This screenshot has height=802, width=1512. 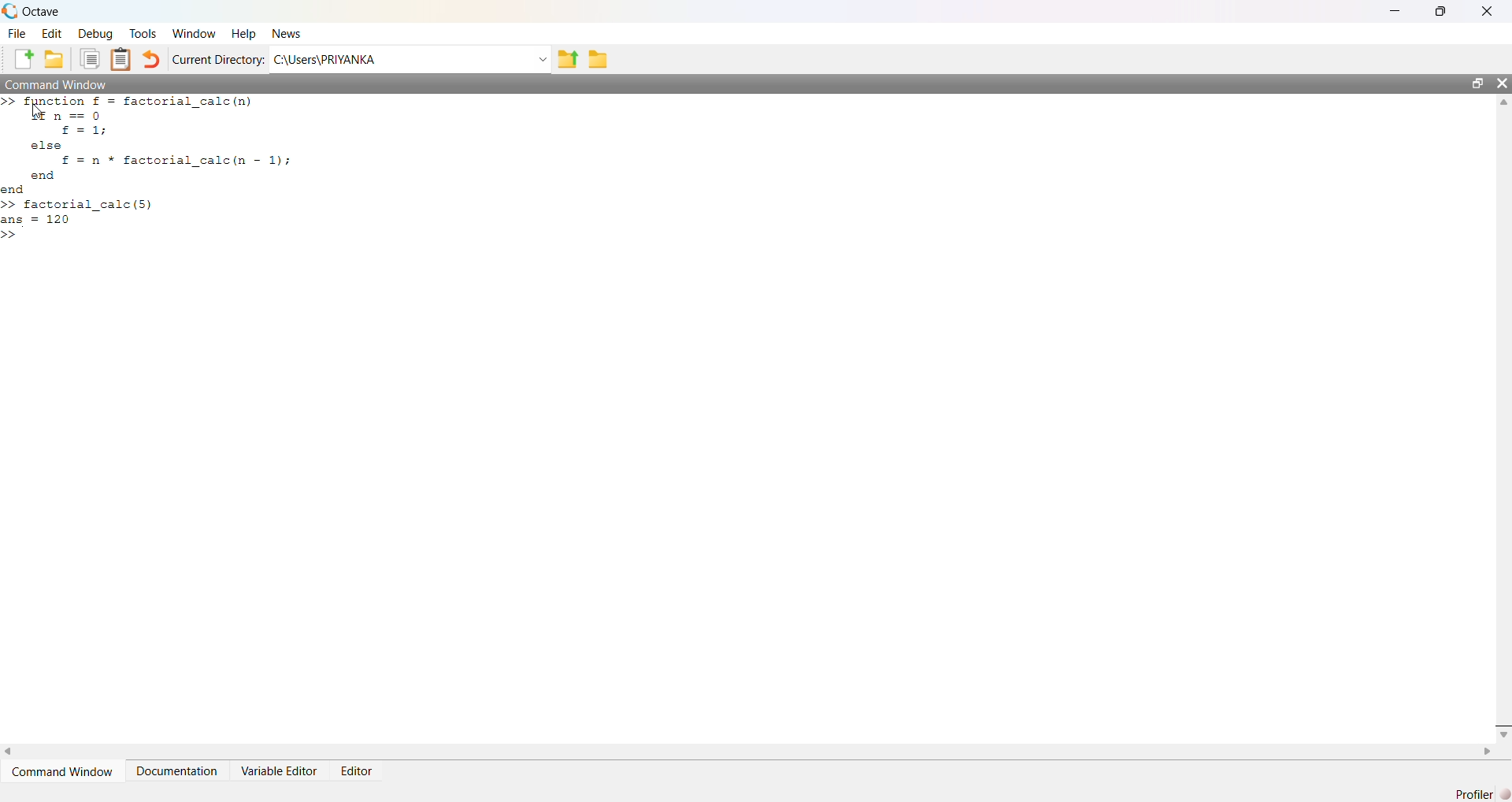 What do you see at coordinates (567, 60) in the screenshot?
I see `share folder` at bounding box center [567, 60].